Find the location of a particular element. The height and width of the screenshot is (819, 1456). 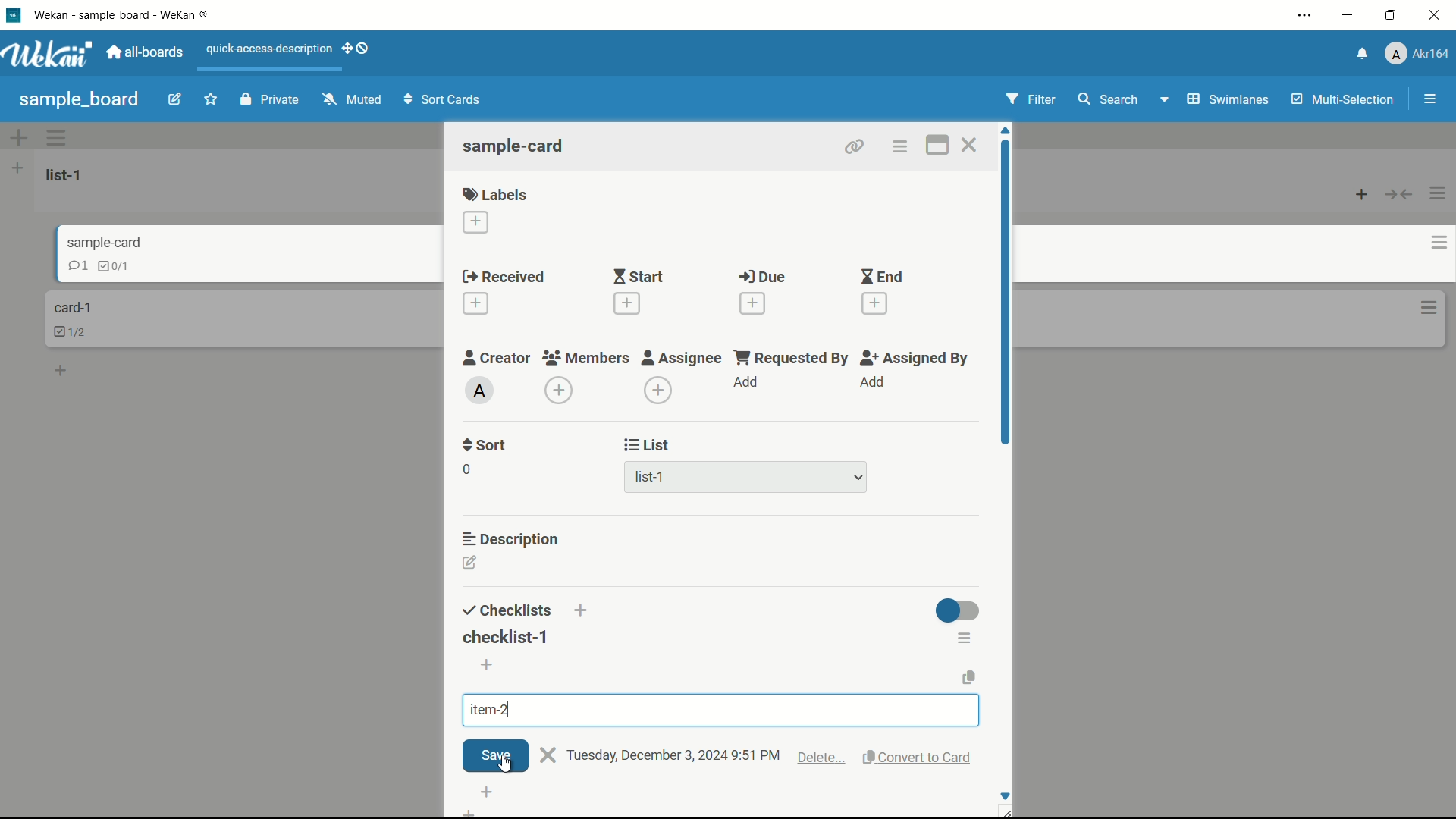

swimlane actions is located at coordinates (57, 136).